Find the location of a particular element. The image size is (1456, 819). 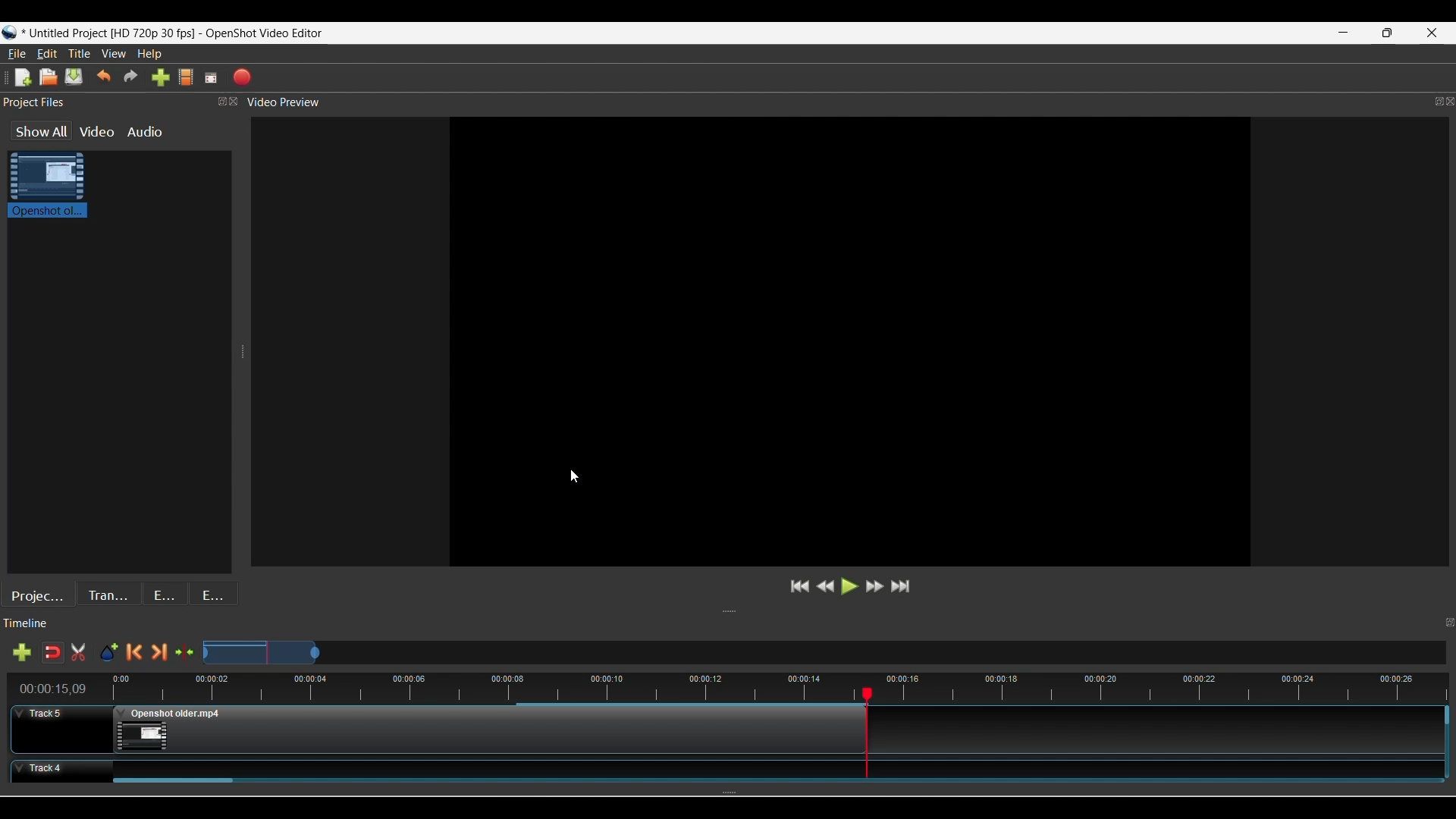

Disable snapping is located at coordinates (52, 652).